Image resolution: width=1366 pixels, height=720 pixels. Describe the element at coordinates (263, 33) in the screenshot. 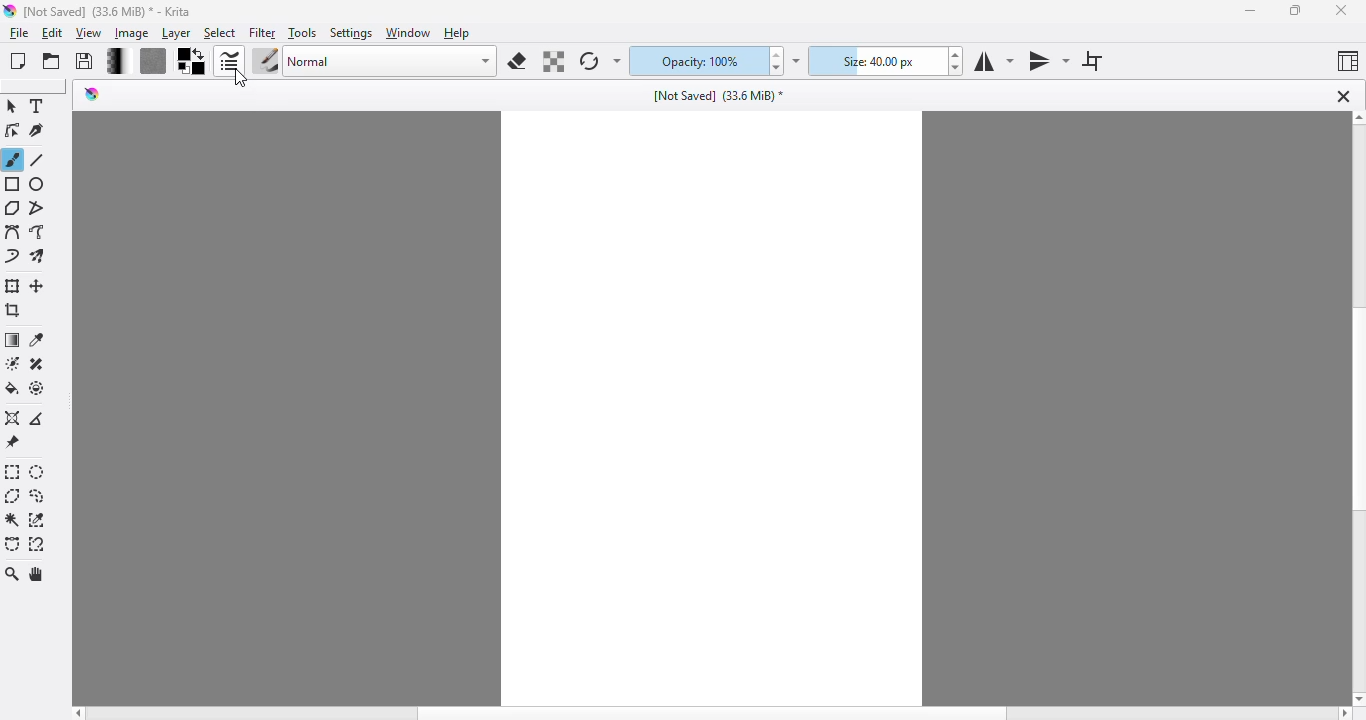

I see `filter` at that location.